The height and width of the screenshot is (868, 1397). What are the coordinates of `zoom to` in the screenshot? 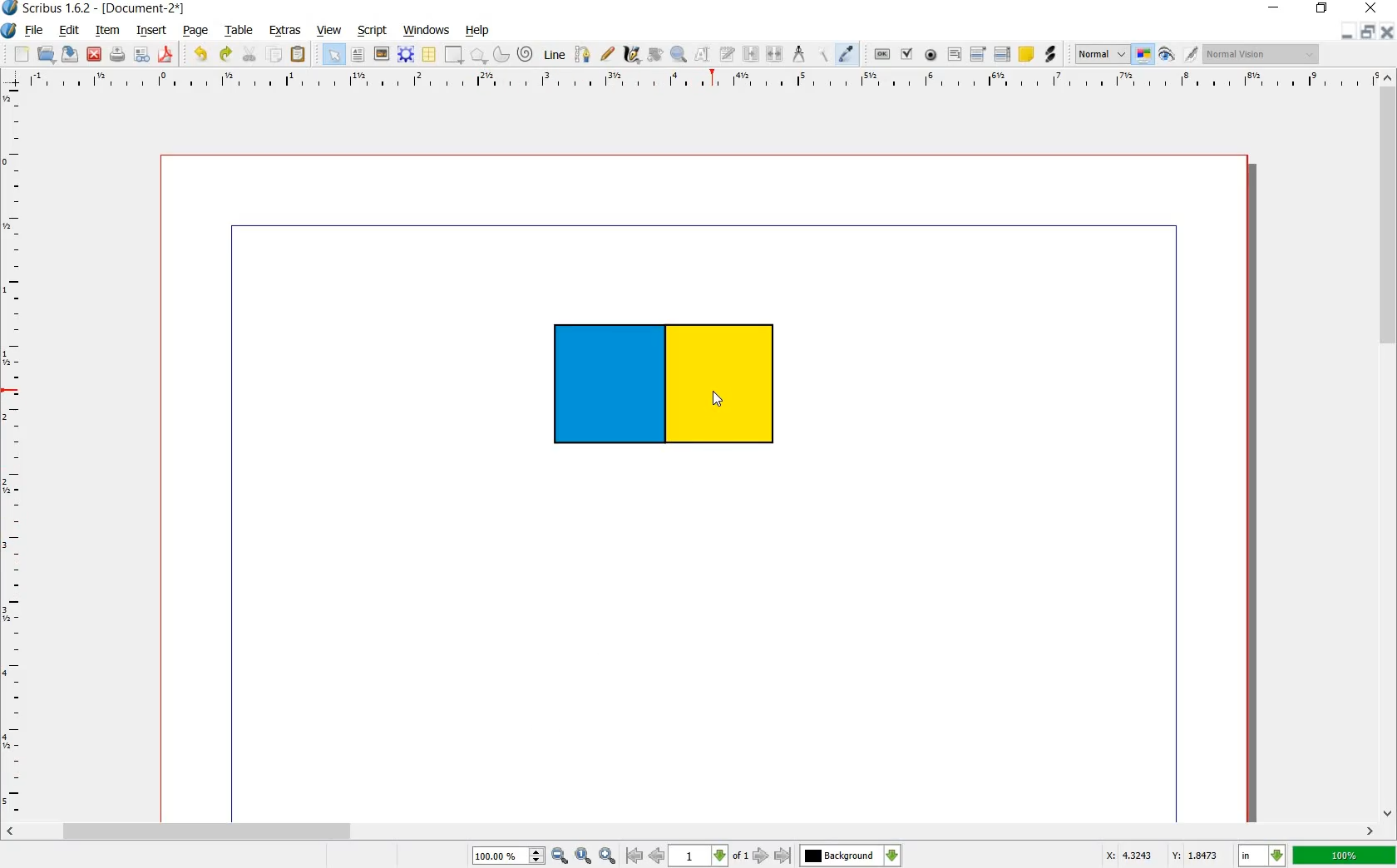 It's located at (584, 854).